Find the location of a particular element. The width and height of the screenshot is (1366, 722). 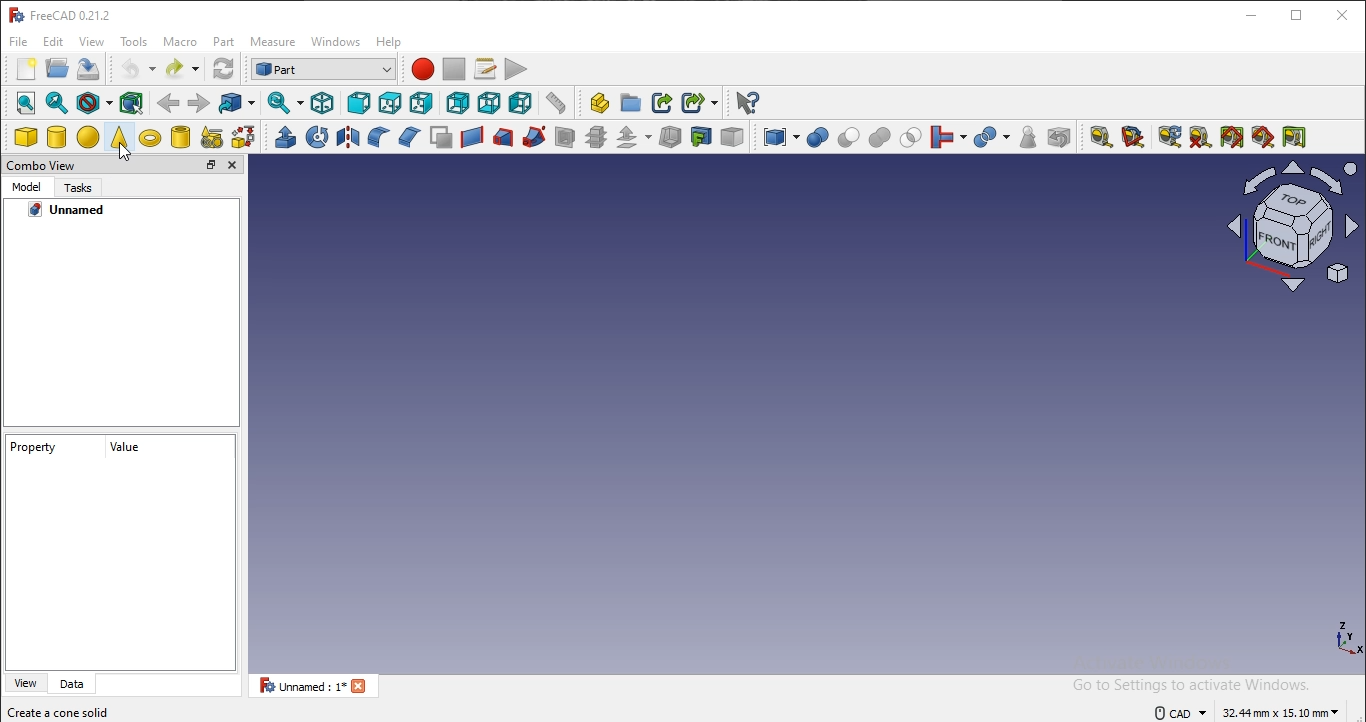

intersection is located at coordinates (910, 138).